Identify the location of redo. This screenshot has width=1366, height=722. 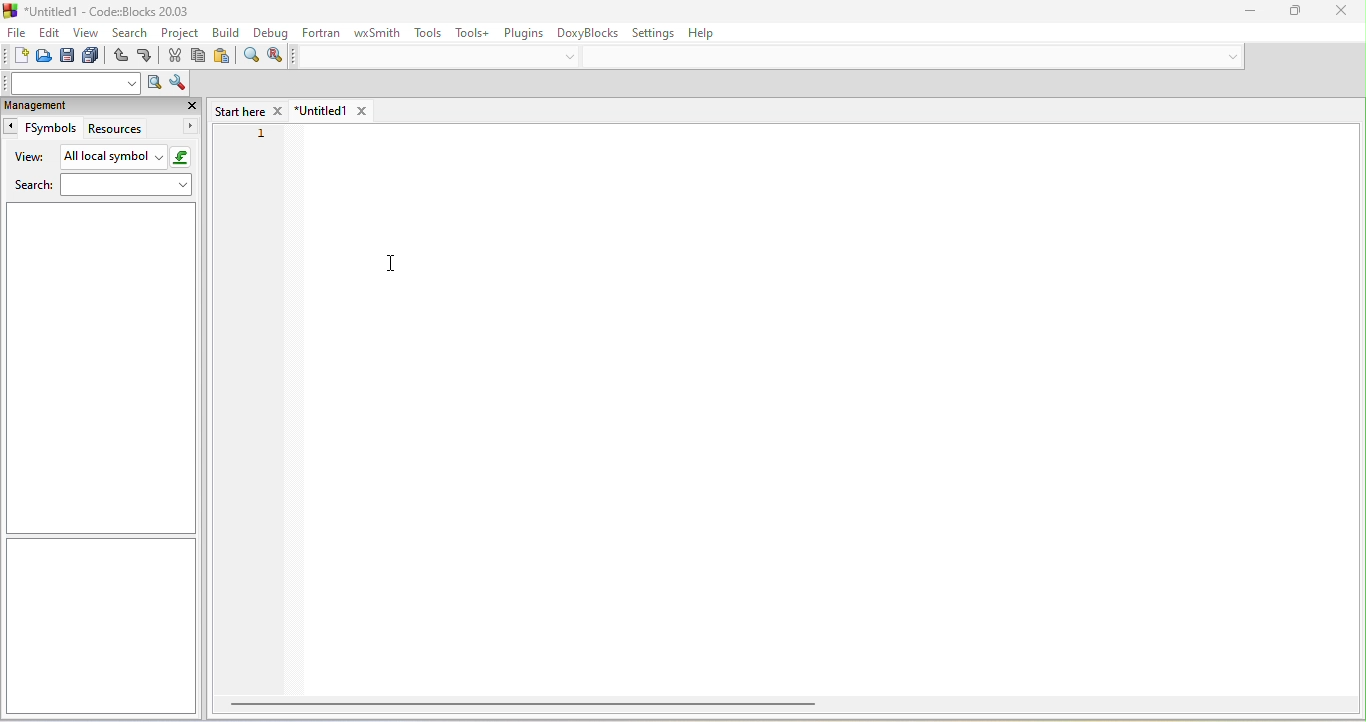
(148, 57).